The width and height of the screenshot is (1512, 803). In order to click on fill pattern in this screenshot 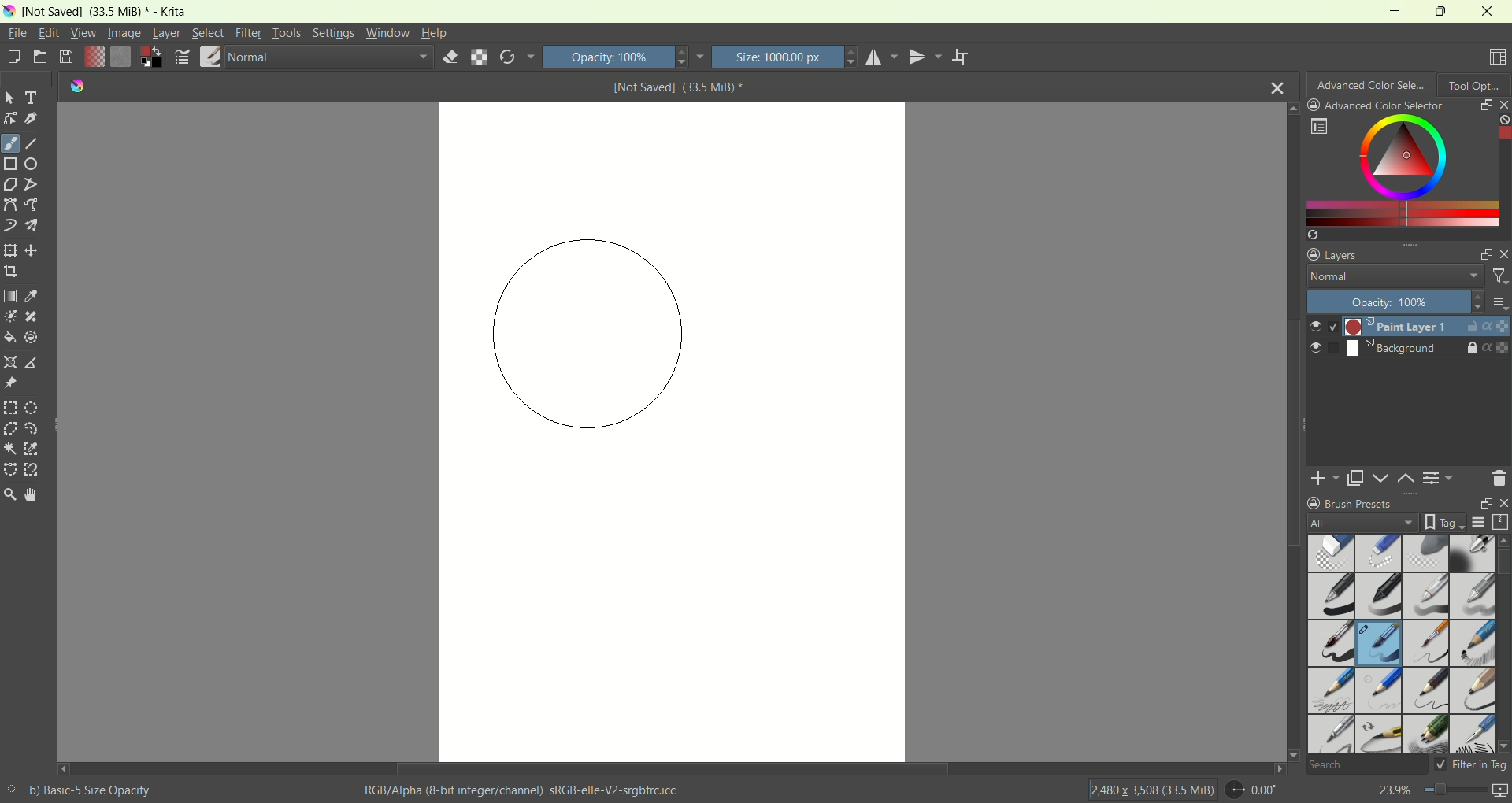, I will do `click(121, 58)`.